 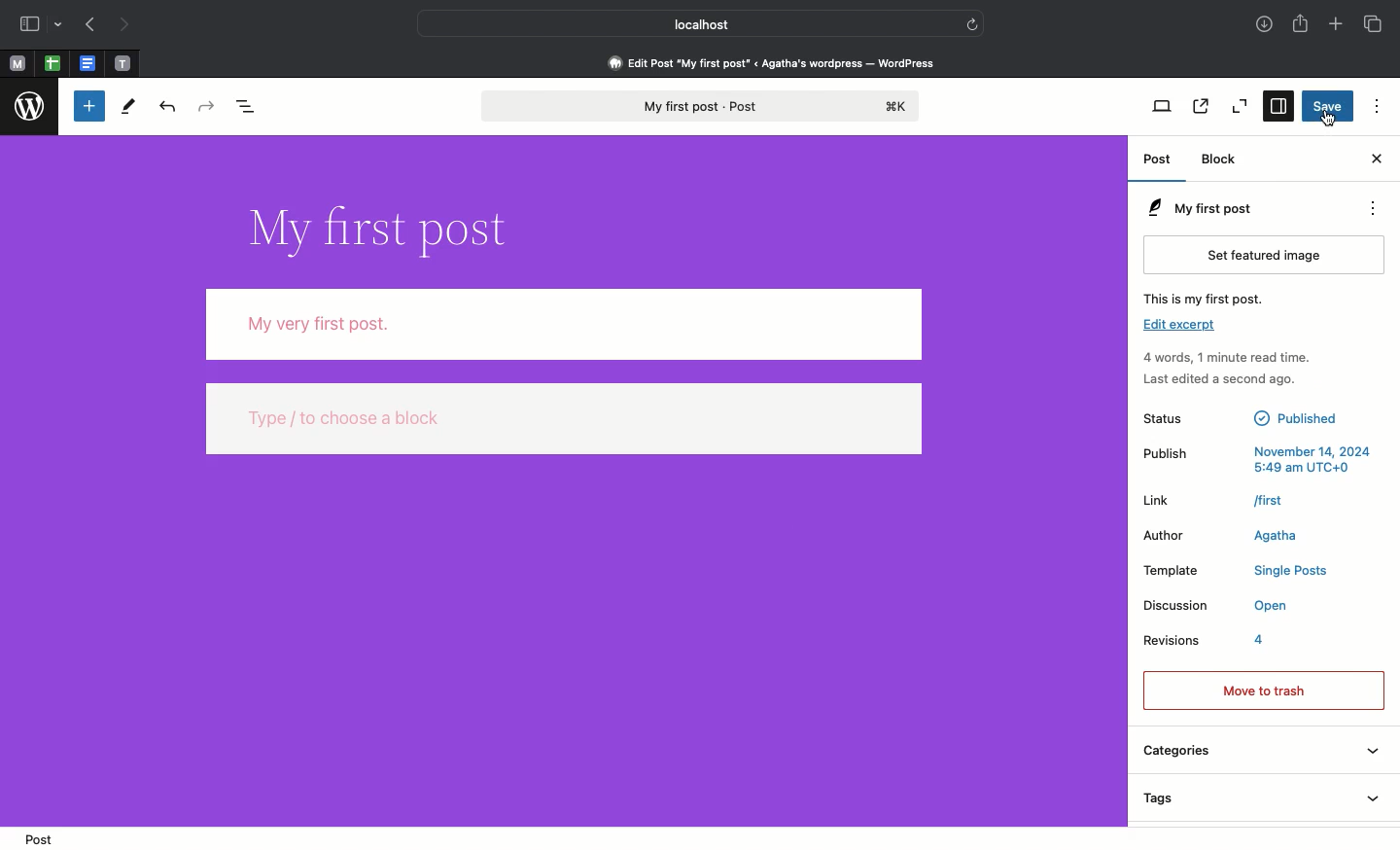 What do you see at coordinates (89, 25) in the screenshot?
I see `Previous page` at bounding box center [89, 25].